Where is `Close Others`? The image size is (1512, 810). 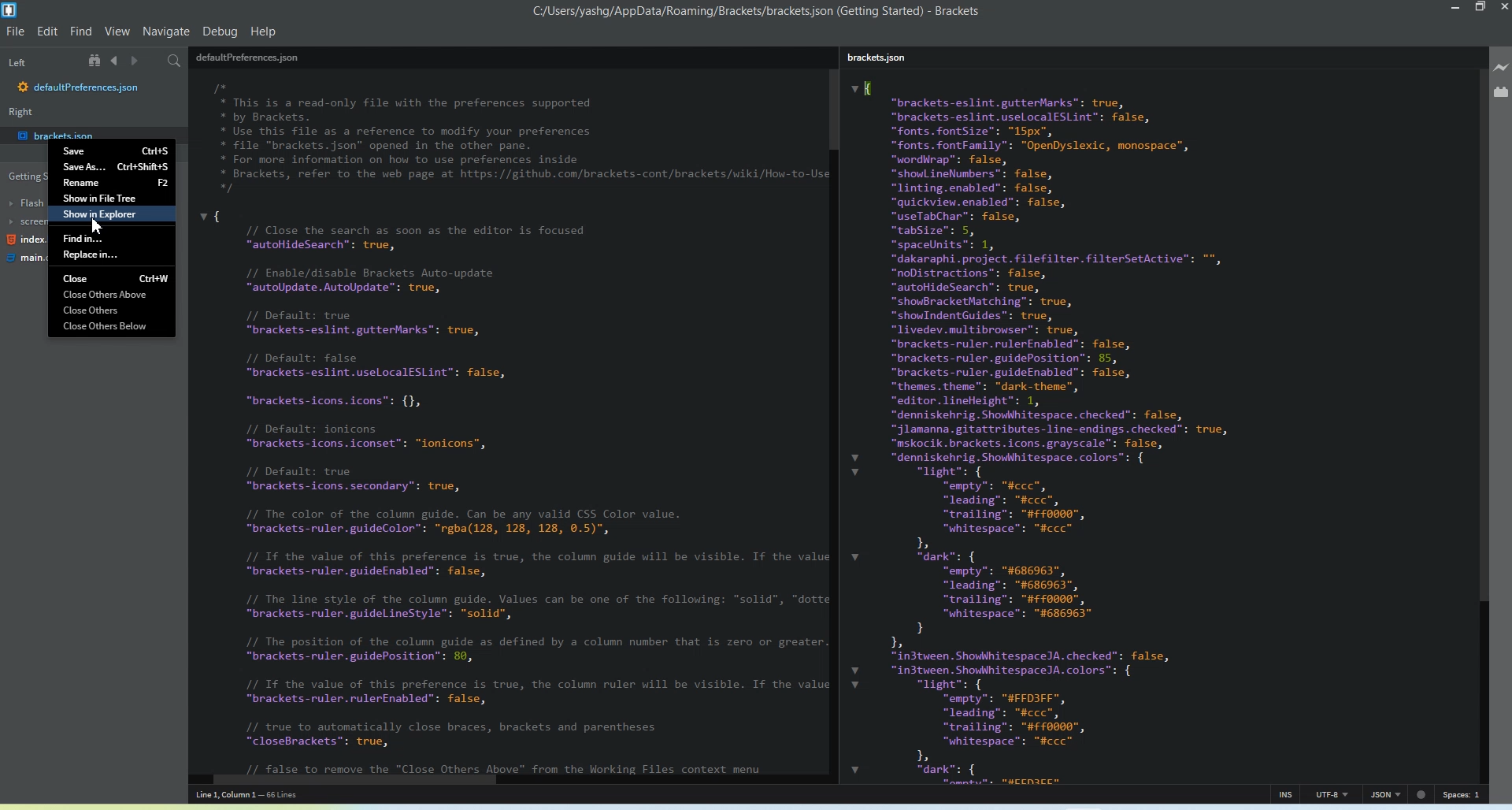 Close Others is located at coordinates (112, 309).